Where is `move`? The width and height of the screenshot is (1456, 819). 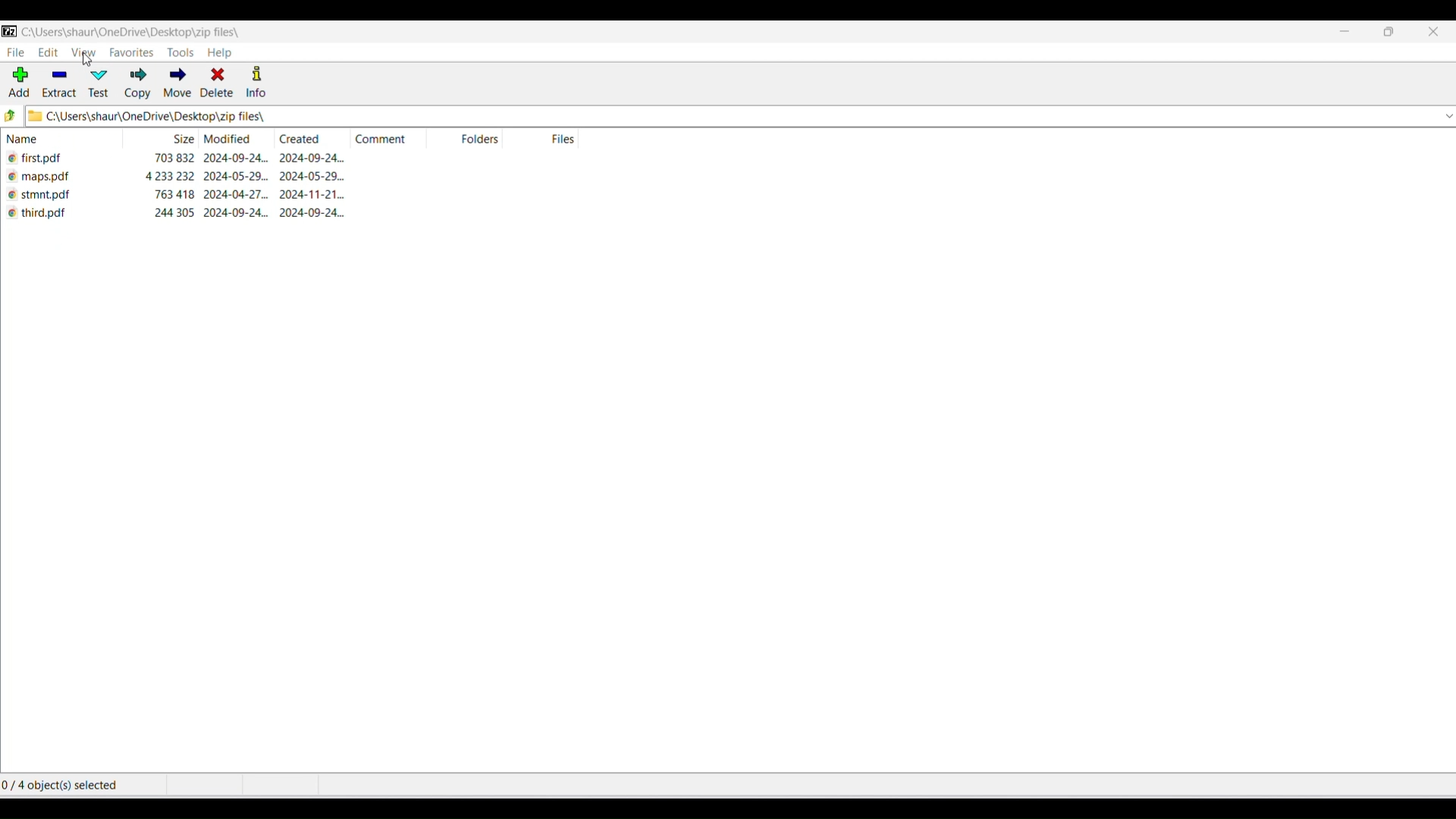
move is located at coordinates (176, 83).